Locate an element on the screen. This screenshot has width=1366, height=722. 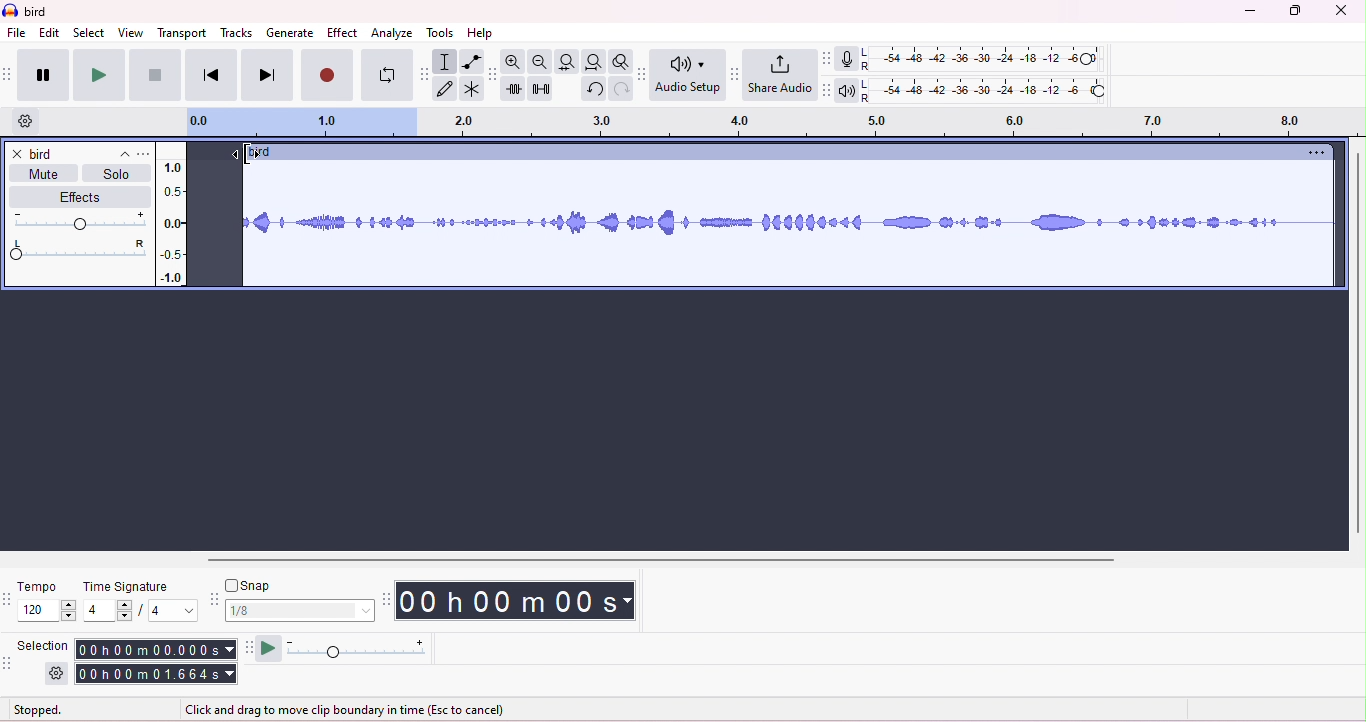
minimize is located at coordinates (1247, 12).